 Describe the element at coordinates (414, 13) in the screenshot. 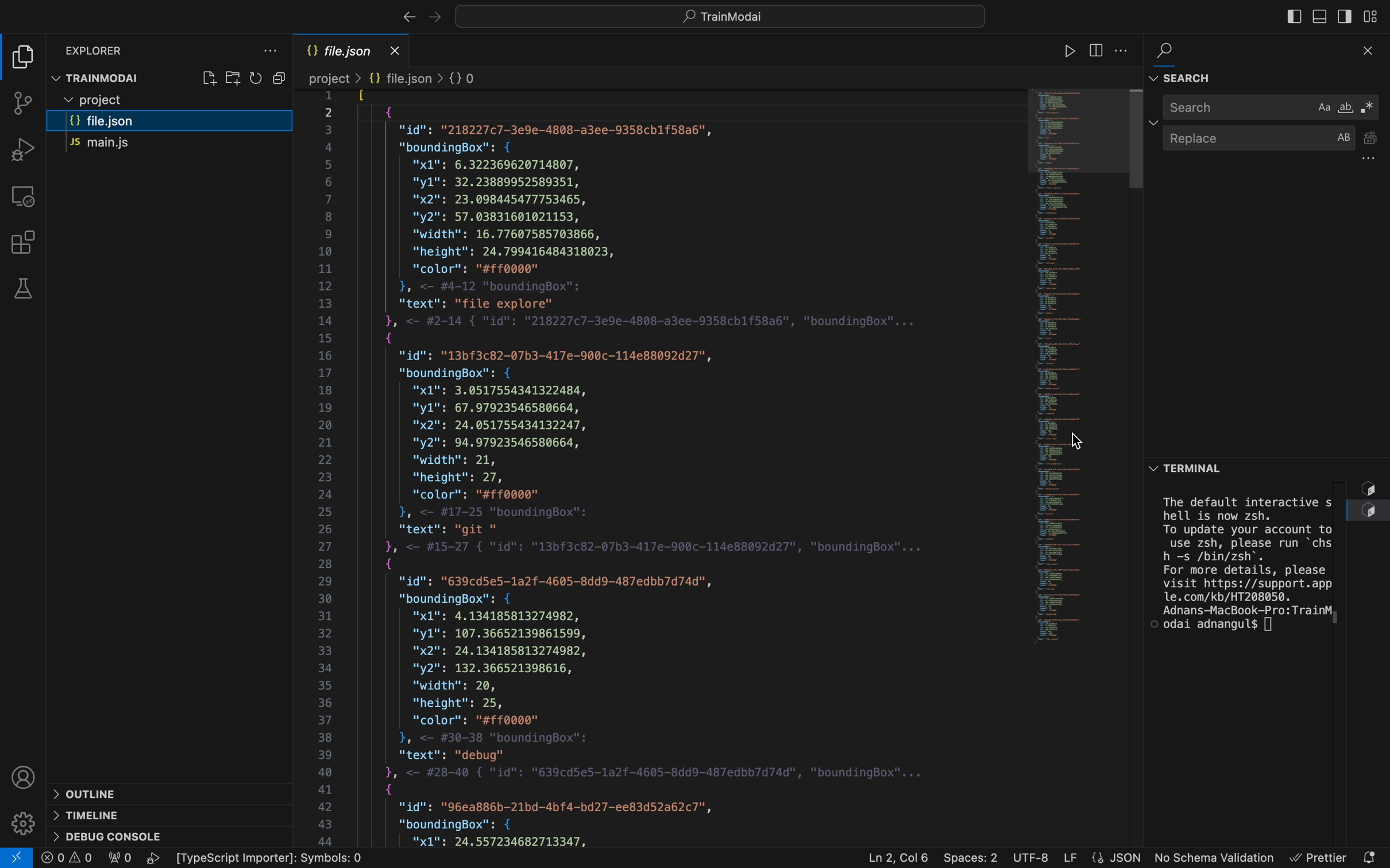

I see `arrows` at that location.